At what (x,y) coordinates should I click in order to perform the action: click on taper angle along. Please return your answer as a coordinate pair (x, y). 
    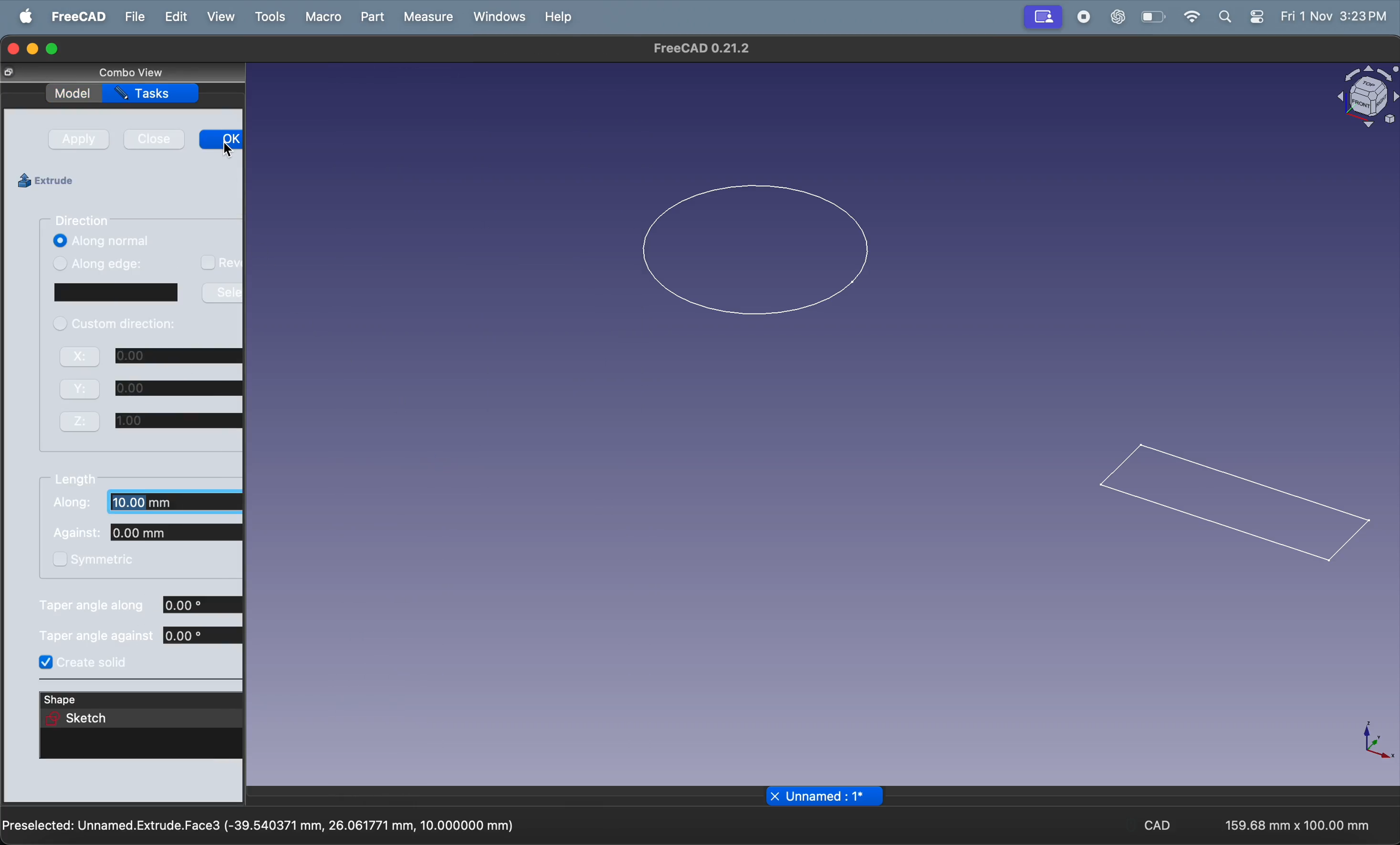
    Looking at the image, I should click on (88, 607).